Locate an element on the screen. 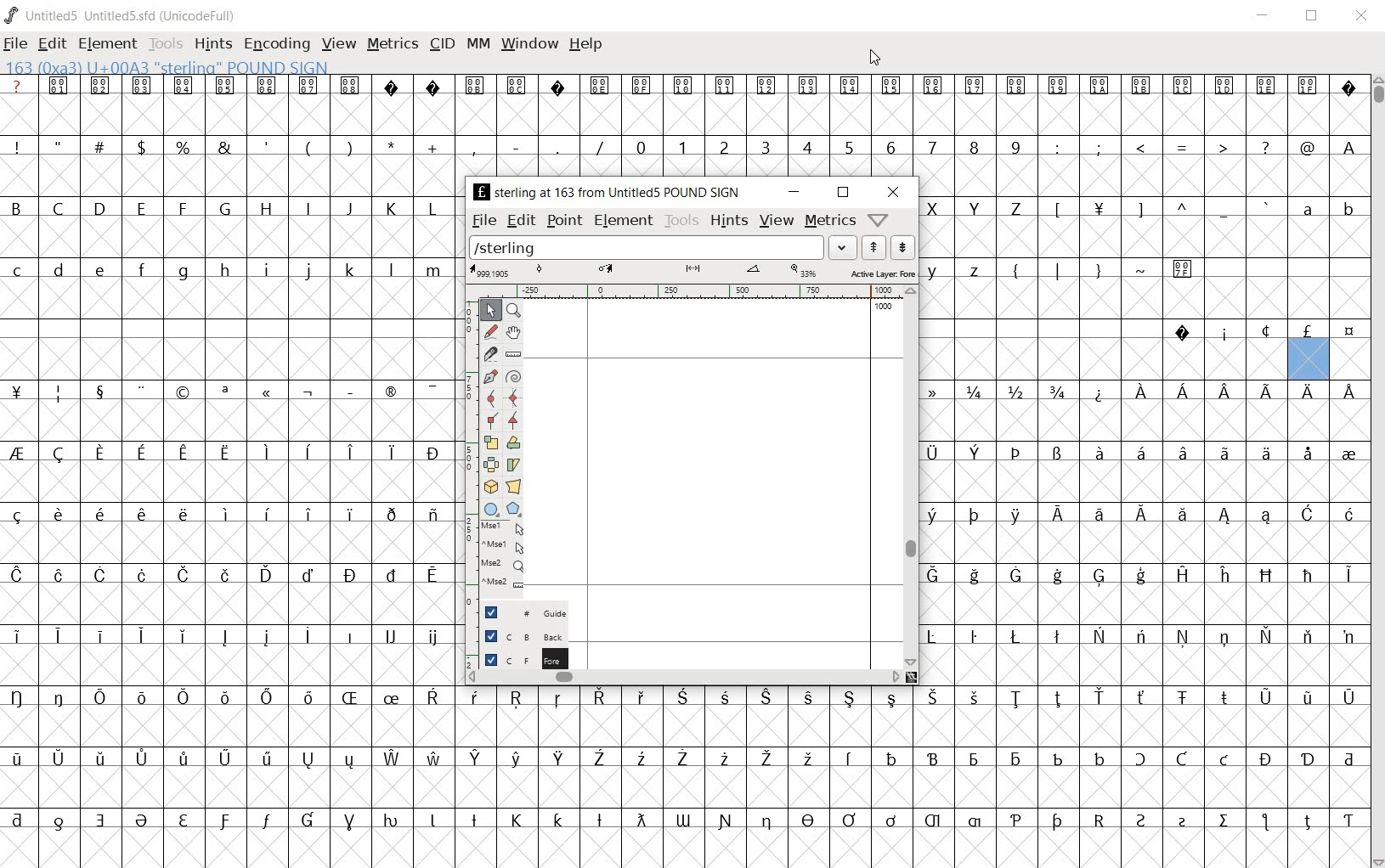  % is located at coordinates (184, 147).